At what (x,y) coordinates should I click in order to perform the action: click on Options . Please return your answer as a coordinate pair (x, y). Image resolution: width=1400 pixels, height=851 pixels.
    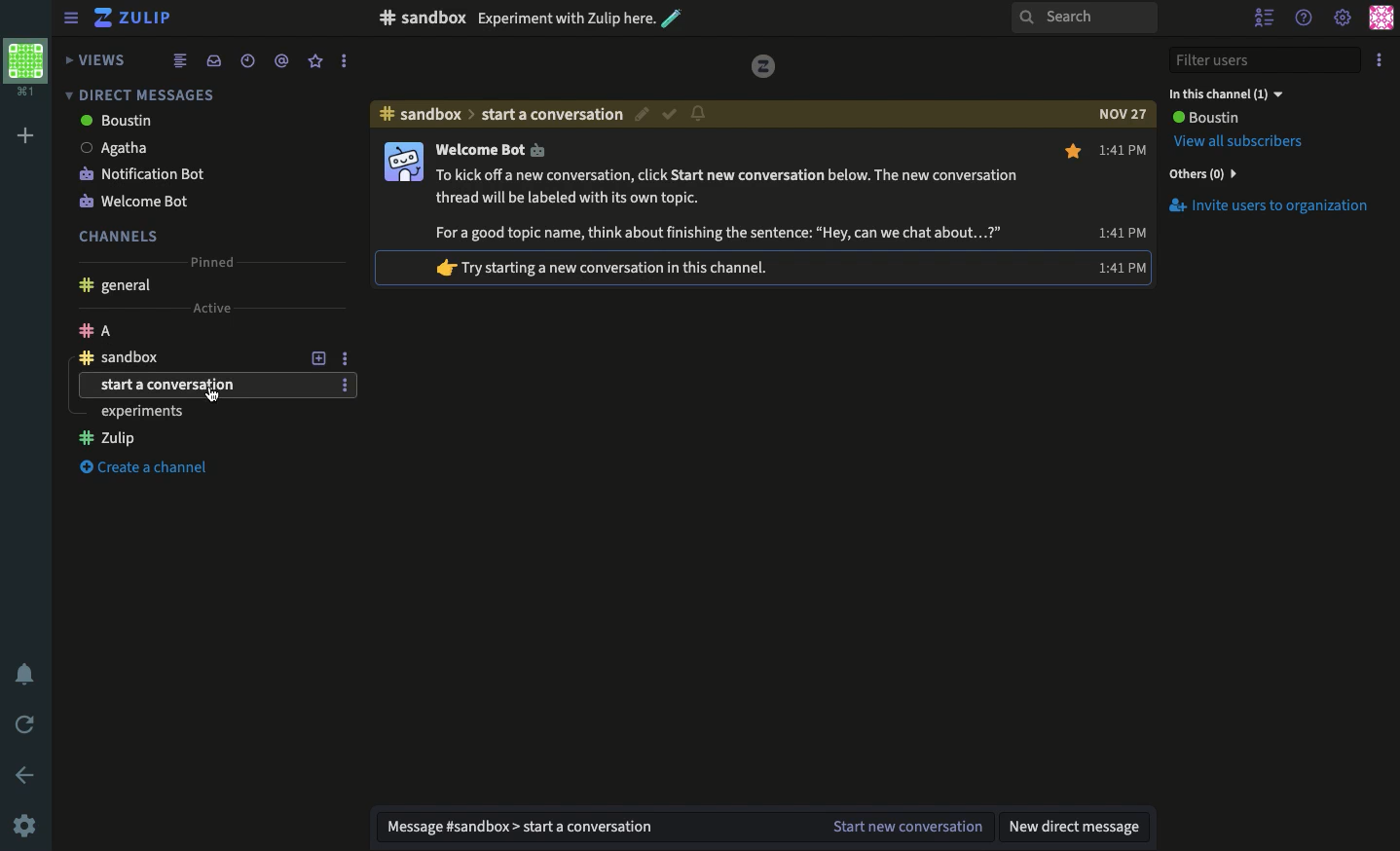
    Looking at the image, I should click on (1382, 56).